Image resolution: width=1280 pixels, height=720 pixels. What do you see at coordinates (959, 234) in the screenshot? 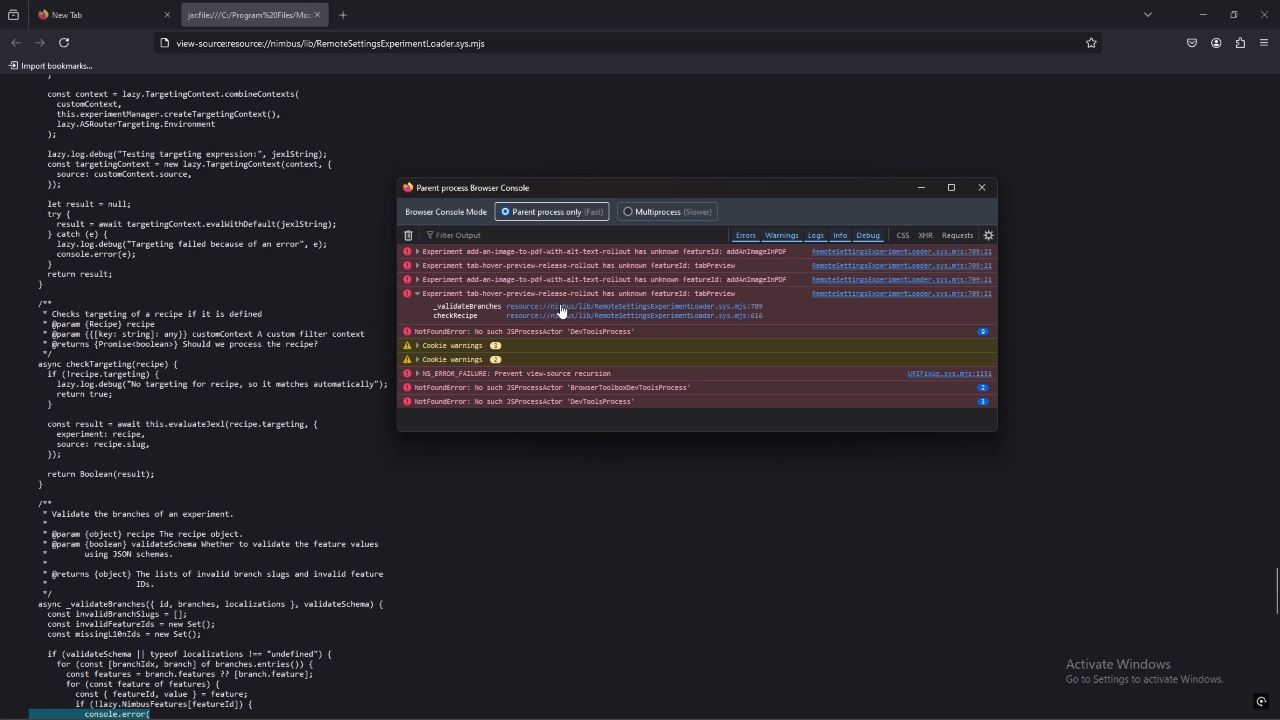
I see `requests` at bounding box center [959, 234].